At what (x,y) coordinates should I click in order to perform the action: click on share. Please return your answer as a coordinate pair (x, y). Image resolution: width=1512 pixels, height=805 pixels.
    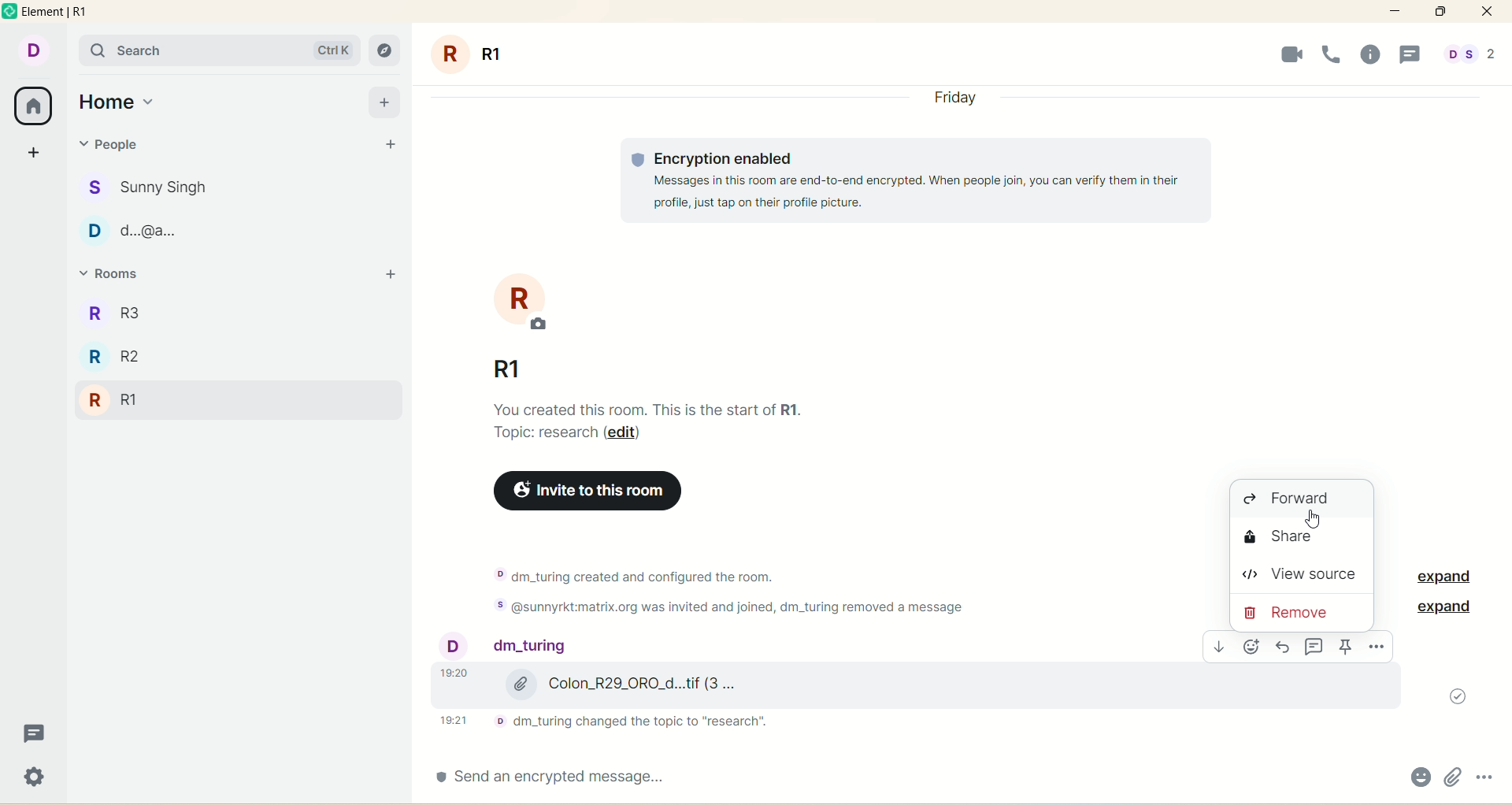
    Looking at the image, I should click on (1288, 540).